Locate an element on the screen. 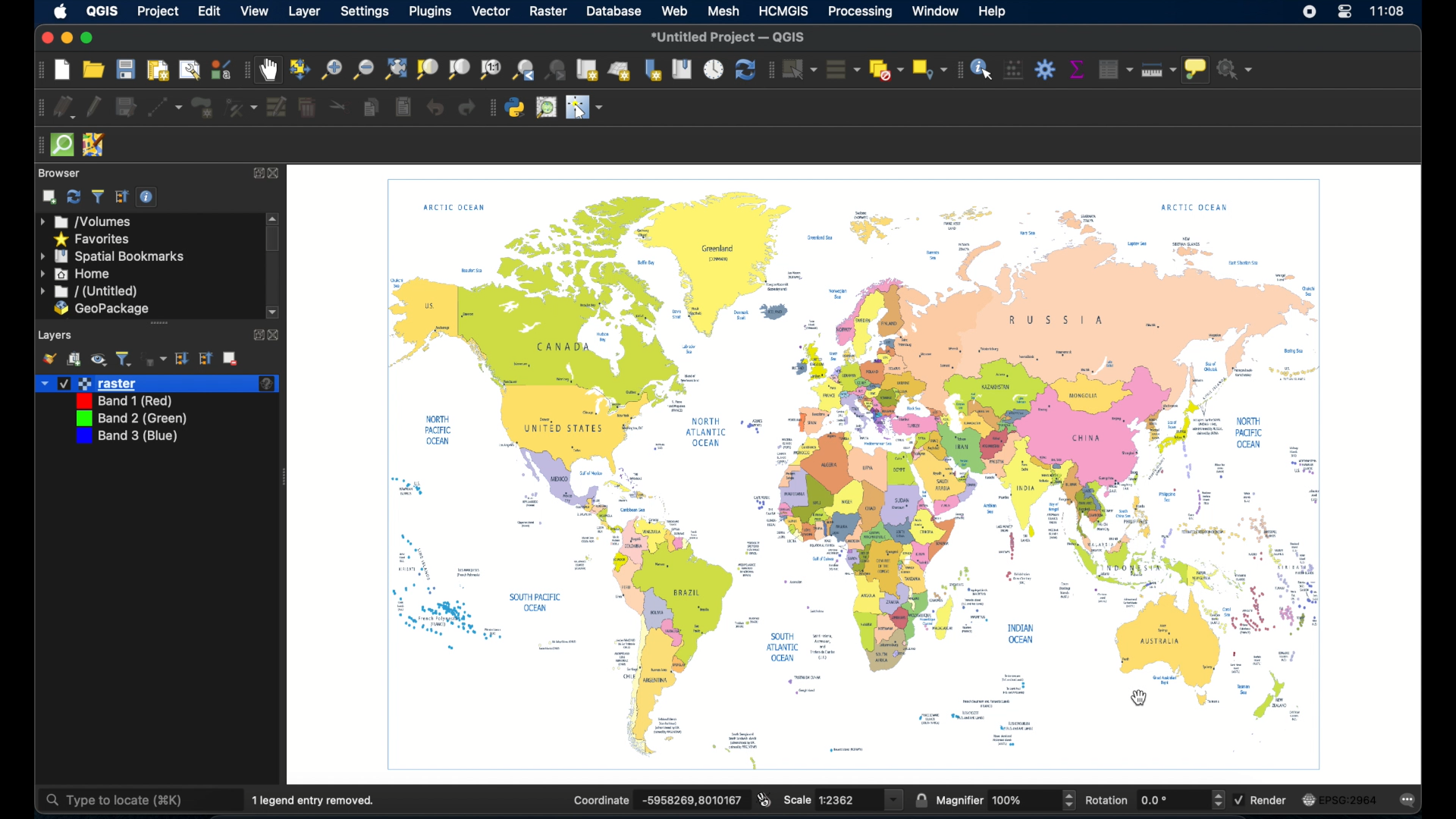 This screenshot has height=819, width=1456. selection toolbar is located at coordinates (770, 69).